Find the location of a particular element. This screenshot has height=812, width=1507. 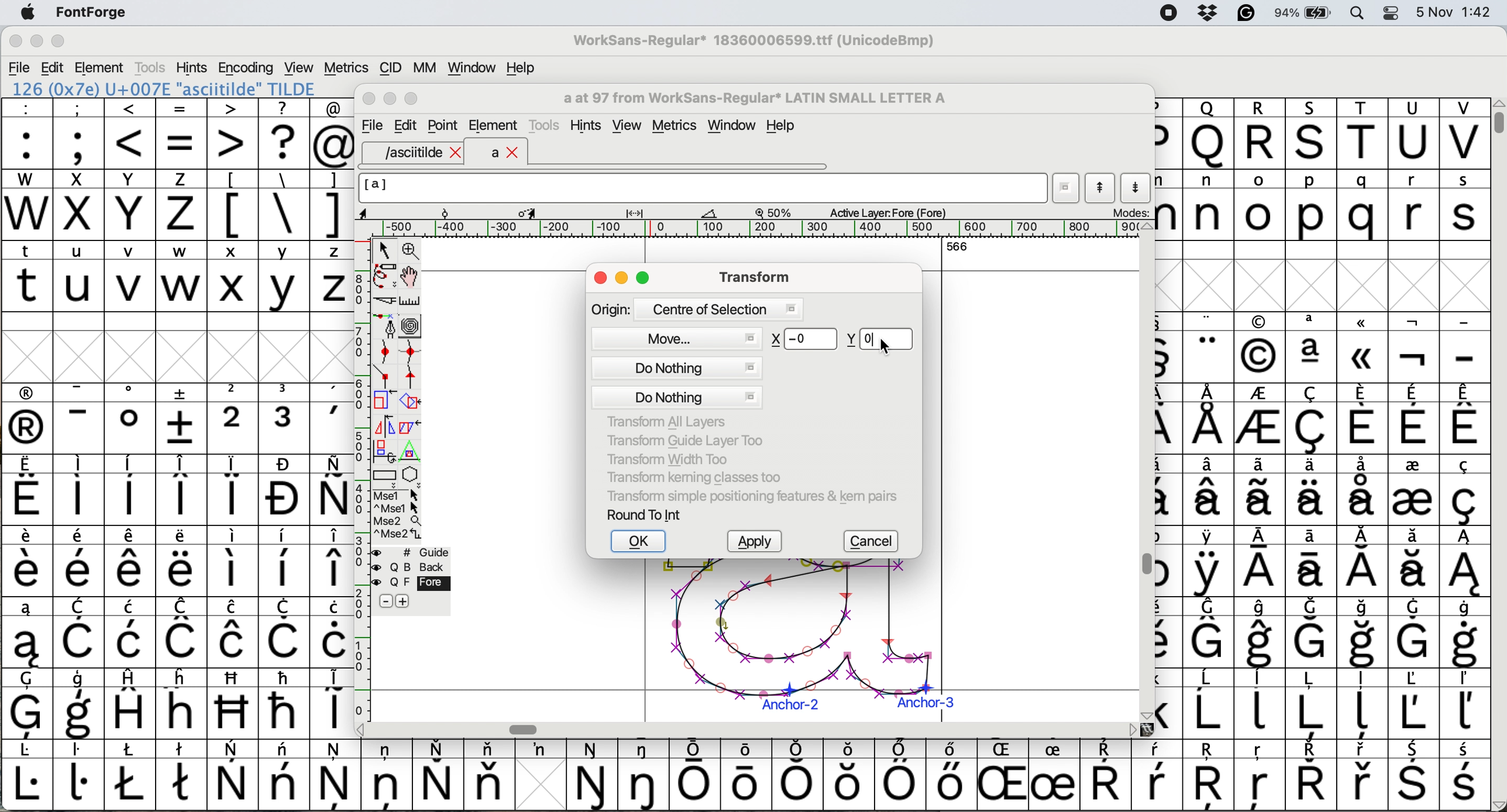

cut splines in two is located at coordinates (386, 302).